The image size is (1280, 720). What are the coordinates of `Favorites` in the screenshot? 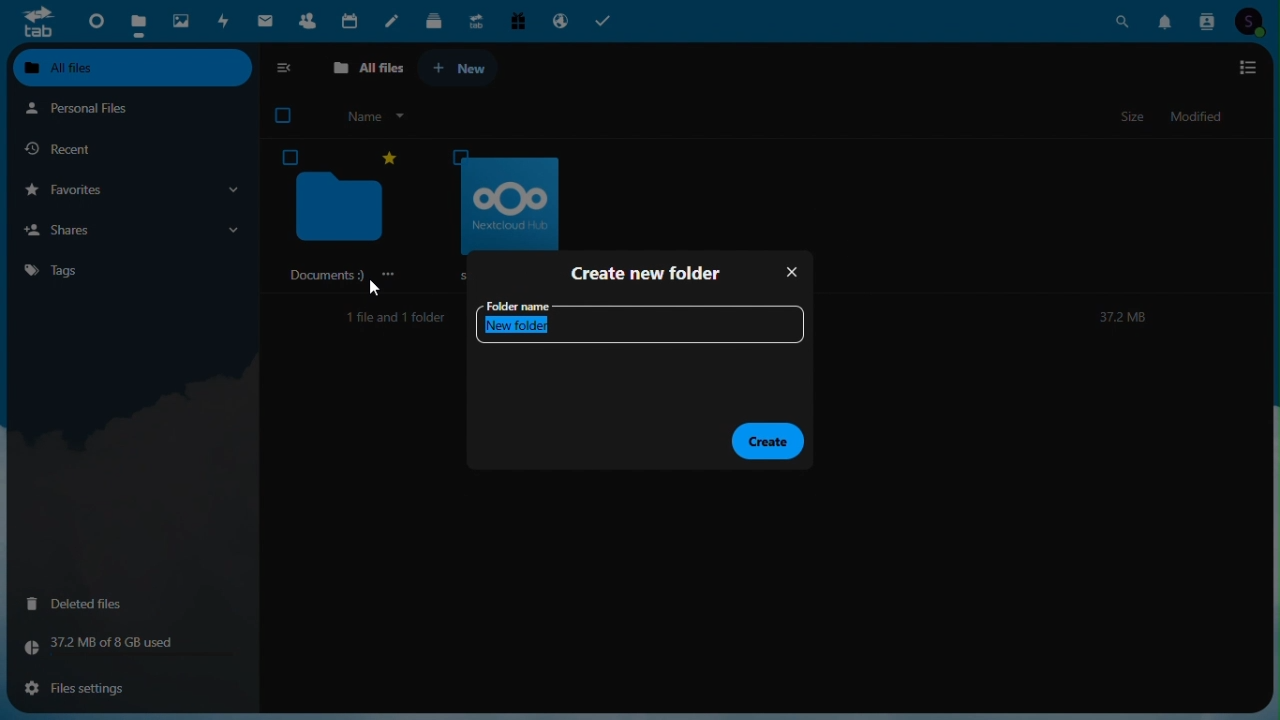 It's located at (126, 192).